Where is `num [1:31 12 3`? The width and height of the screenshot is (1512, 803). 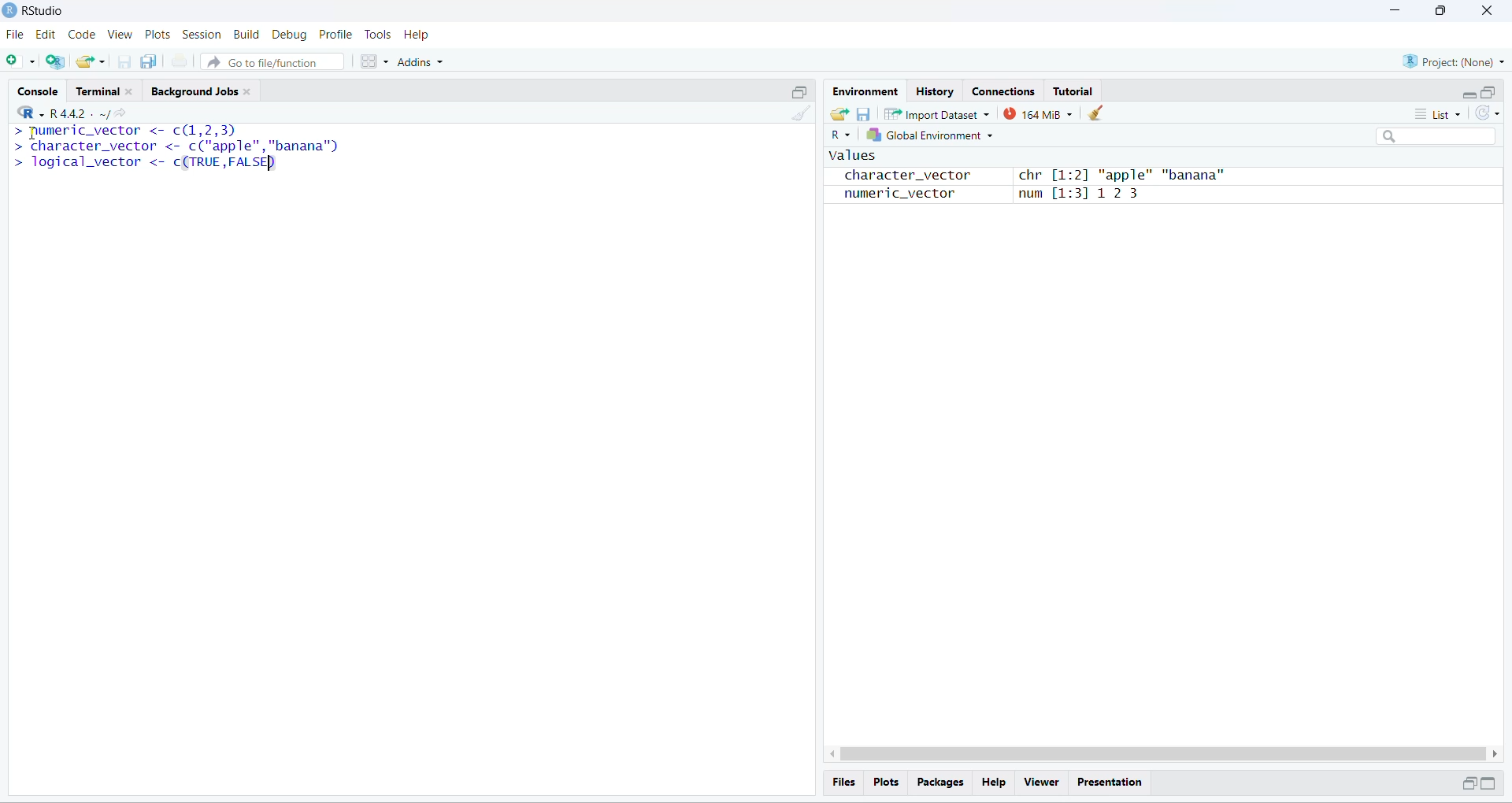 num [1:31 12 3 is located at coordinates (1080, 195).